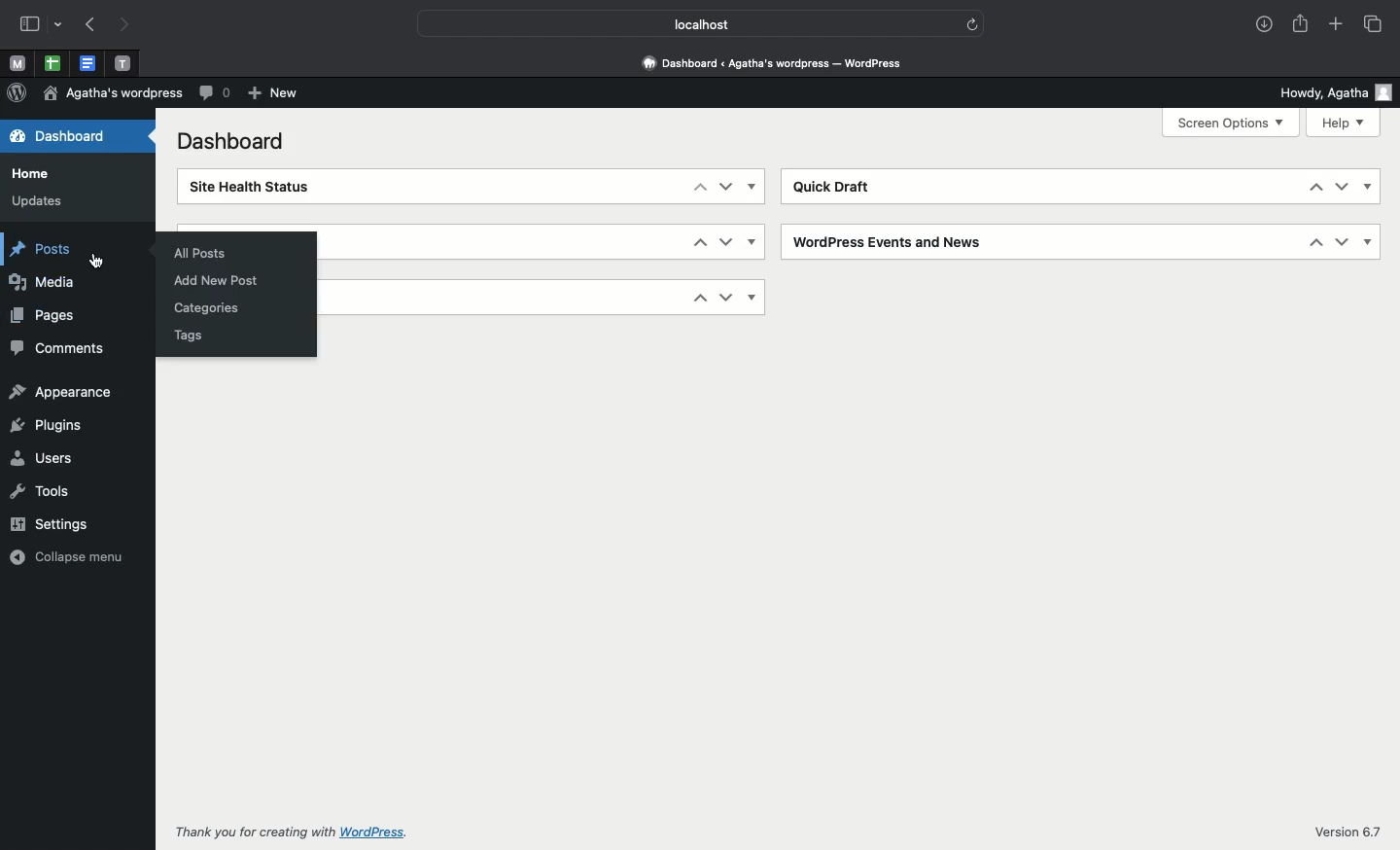 The width and height of the screenshot is (1400, 850). I want to click on Hide, so click(1365, 243).